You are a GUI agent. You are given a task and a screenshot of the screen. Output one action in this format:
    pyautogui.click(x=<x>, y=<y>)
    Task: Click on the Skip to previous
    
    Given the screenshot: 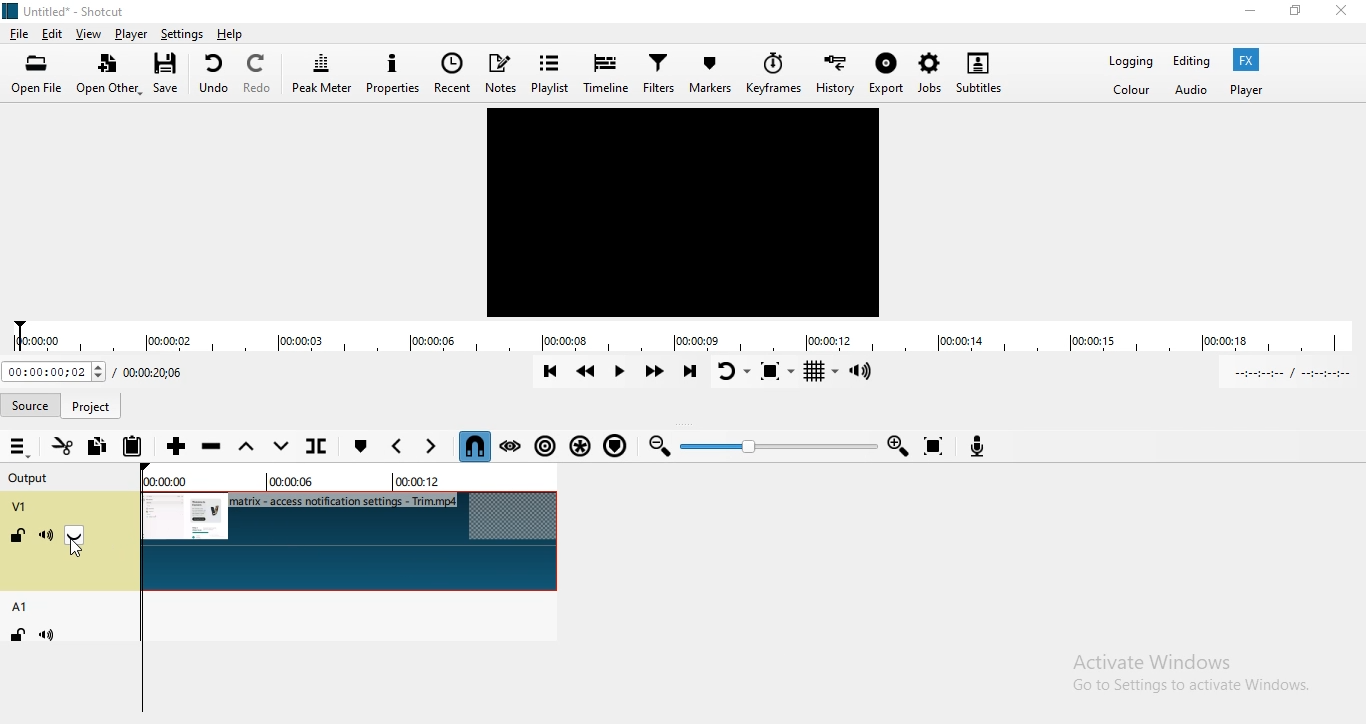 What is the action you would take?
    pyautogui.click(x=550, y=371)
    